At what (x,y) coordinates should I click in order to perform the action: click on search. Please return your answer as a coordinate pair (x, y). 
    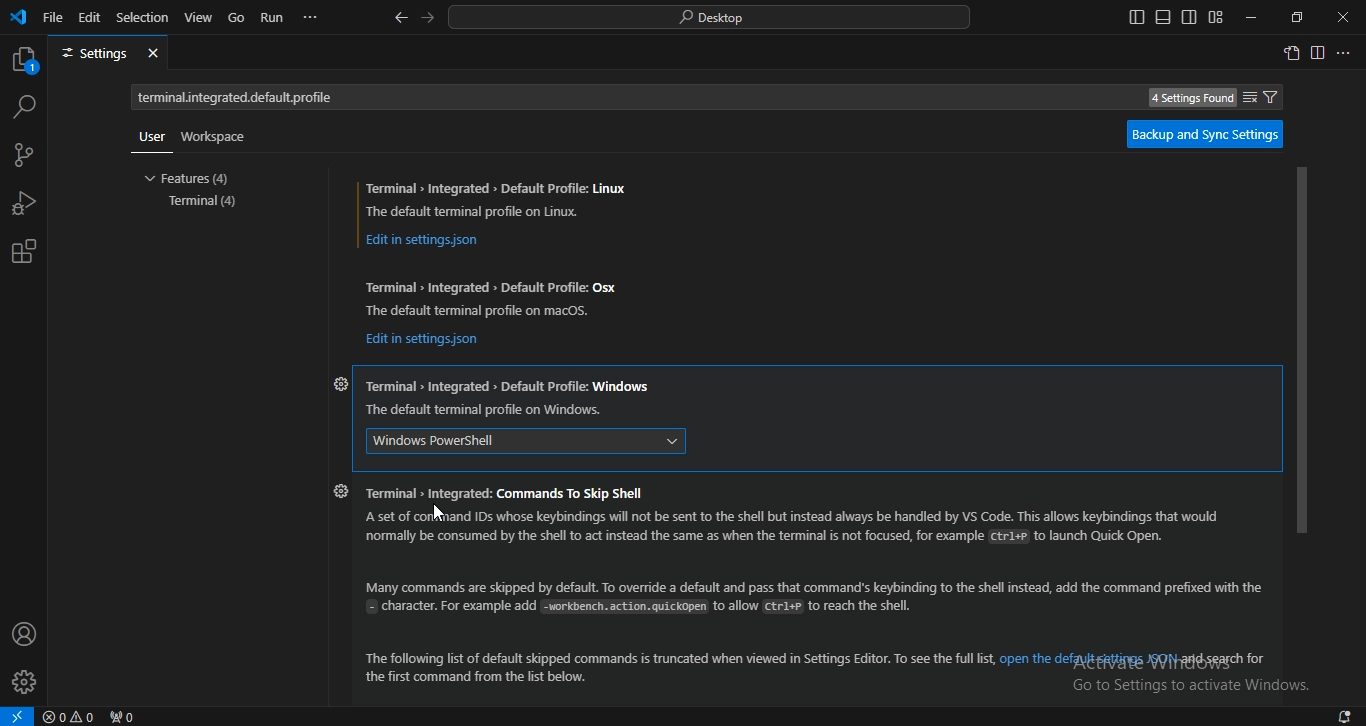
    Looking at the image, I should click on (26, 108).